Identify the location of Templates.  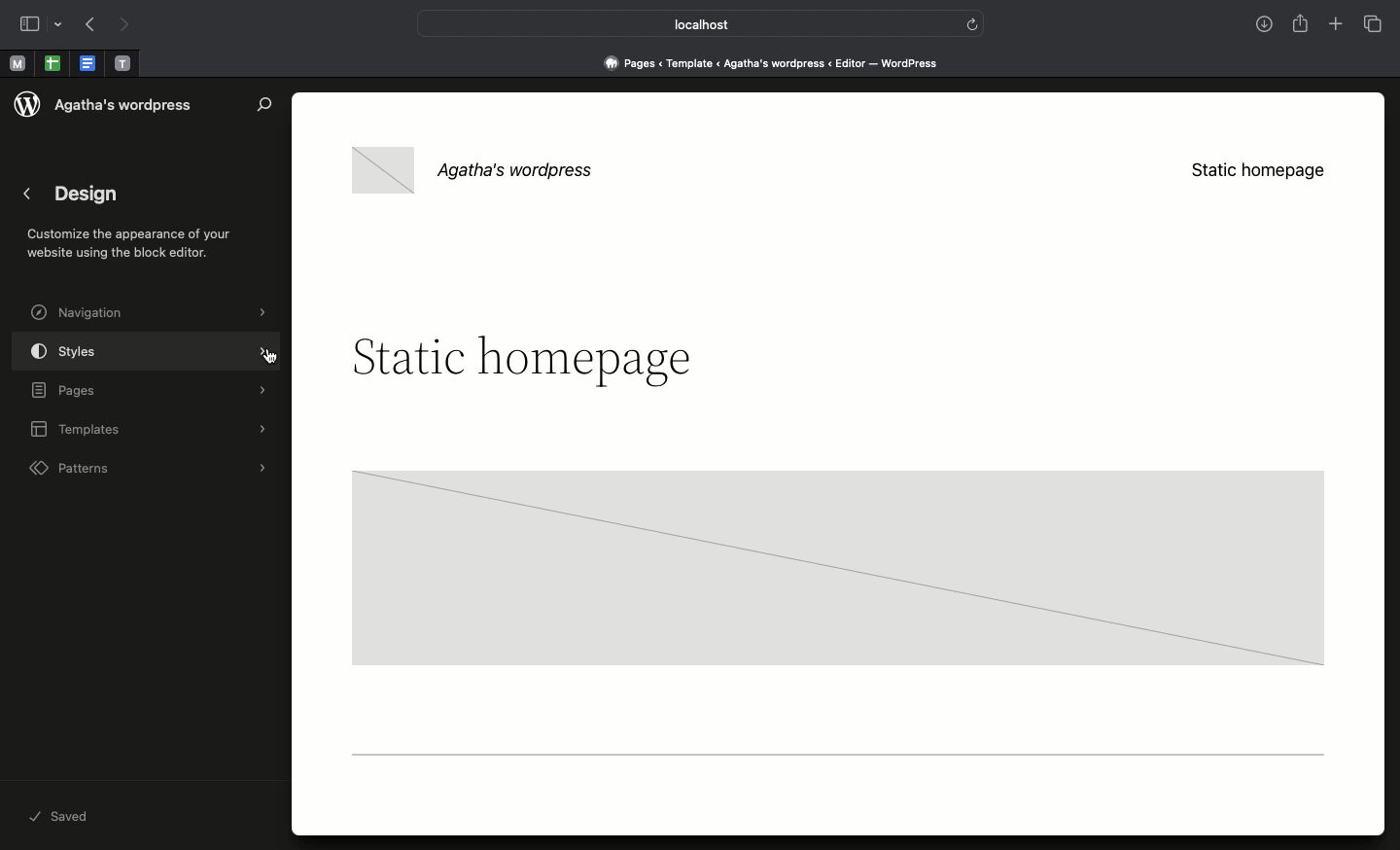
(147, 433).